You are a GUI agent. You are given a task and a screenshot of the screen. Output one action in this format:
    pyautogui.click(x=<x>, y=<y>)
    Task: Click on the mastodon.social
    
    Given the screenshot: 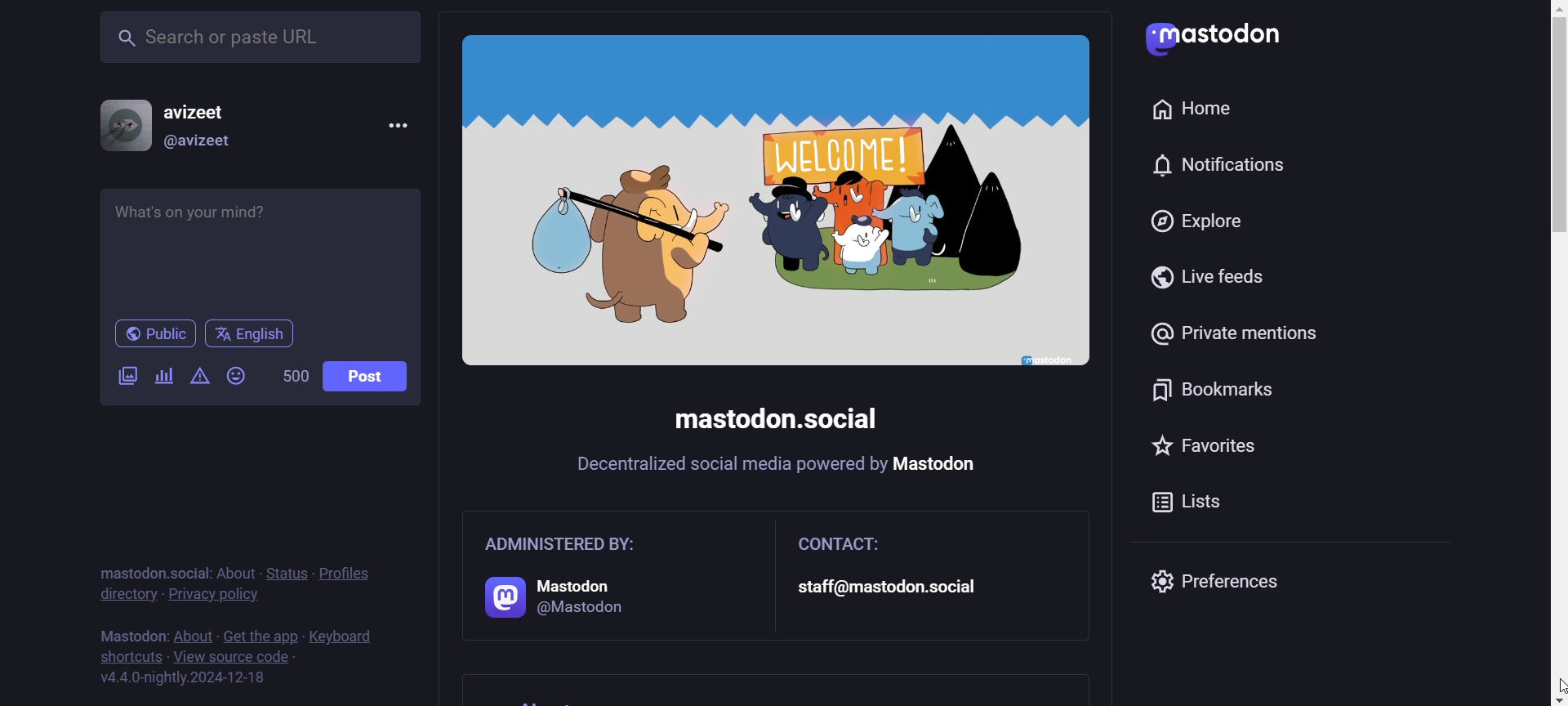 What is the action you would take?
    pyautogui.click(x=775, y=417)
    